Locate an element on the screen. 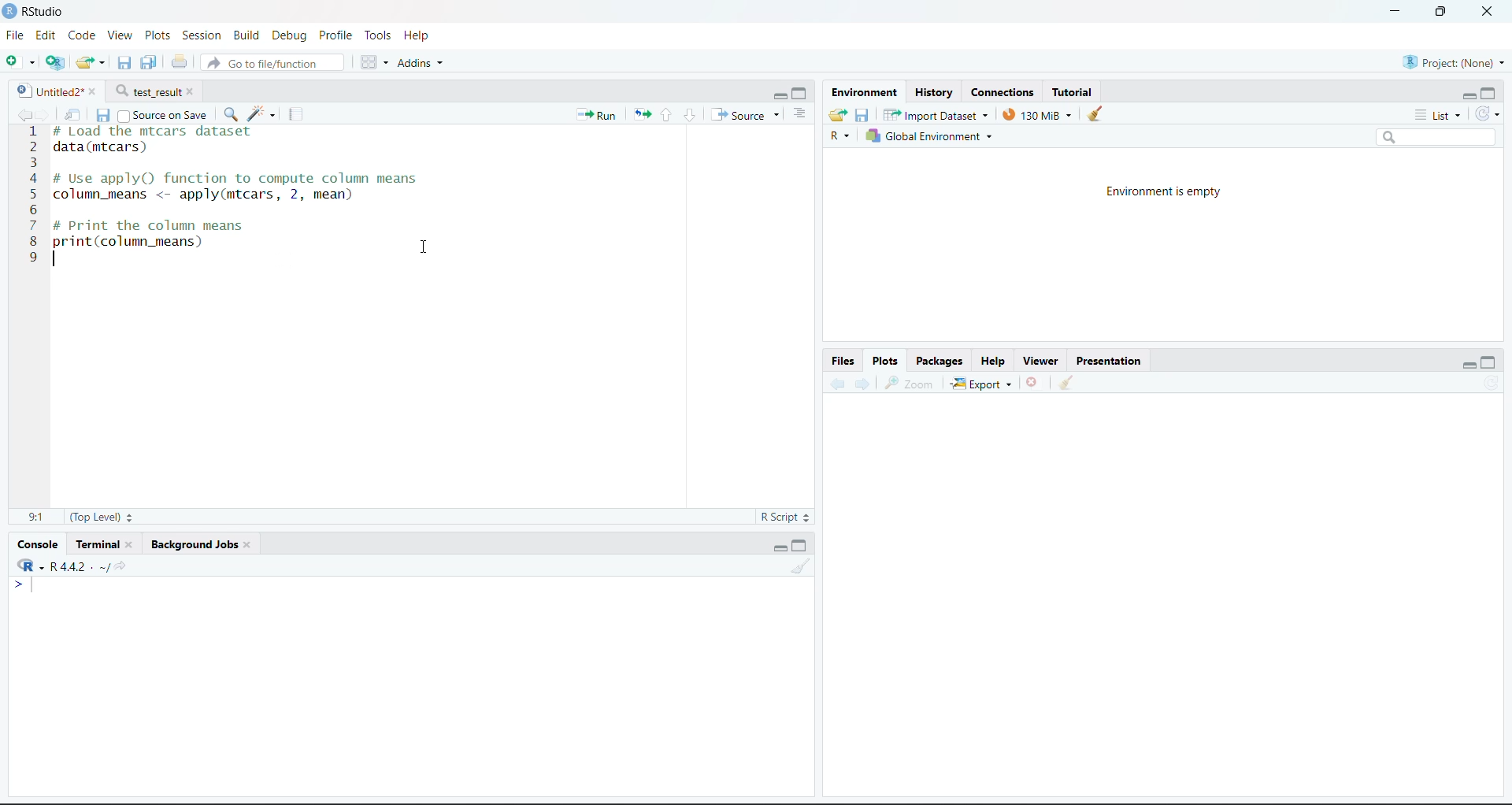  Tutorial is located at coordinates (1077, 90).